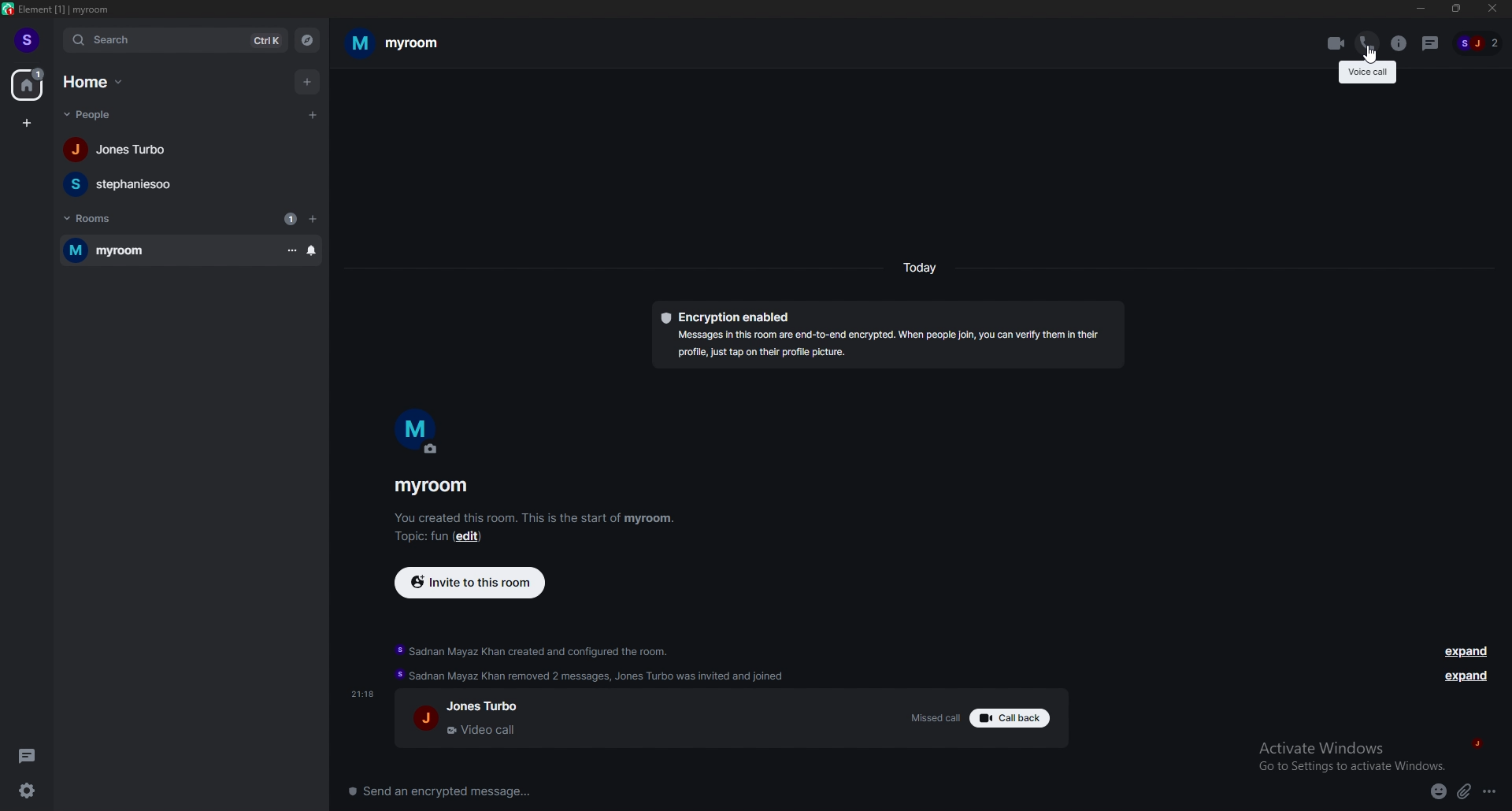  I want to click on people, so click(94, 115).